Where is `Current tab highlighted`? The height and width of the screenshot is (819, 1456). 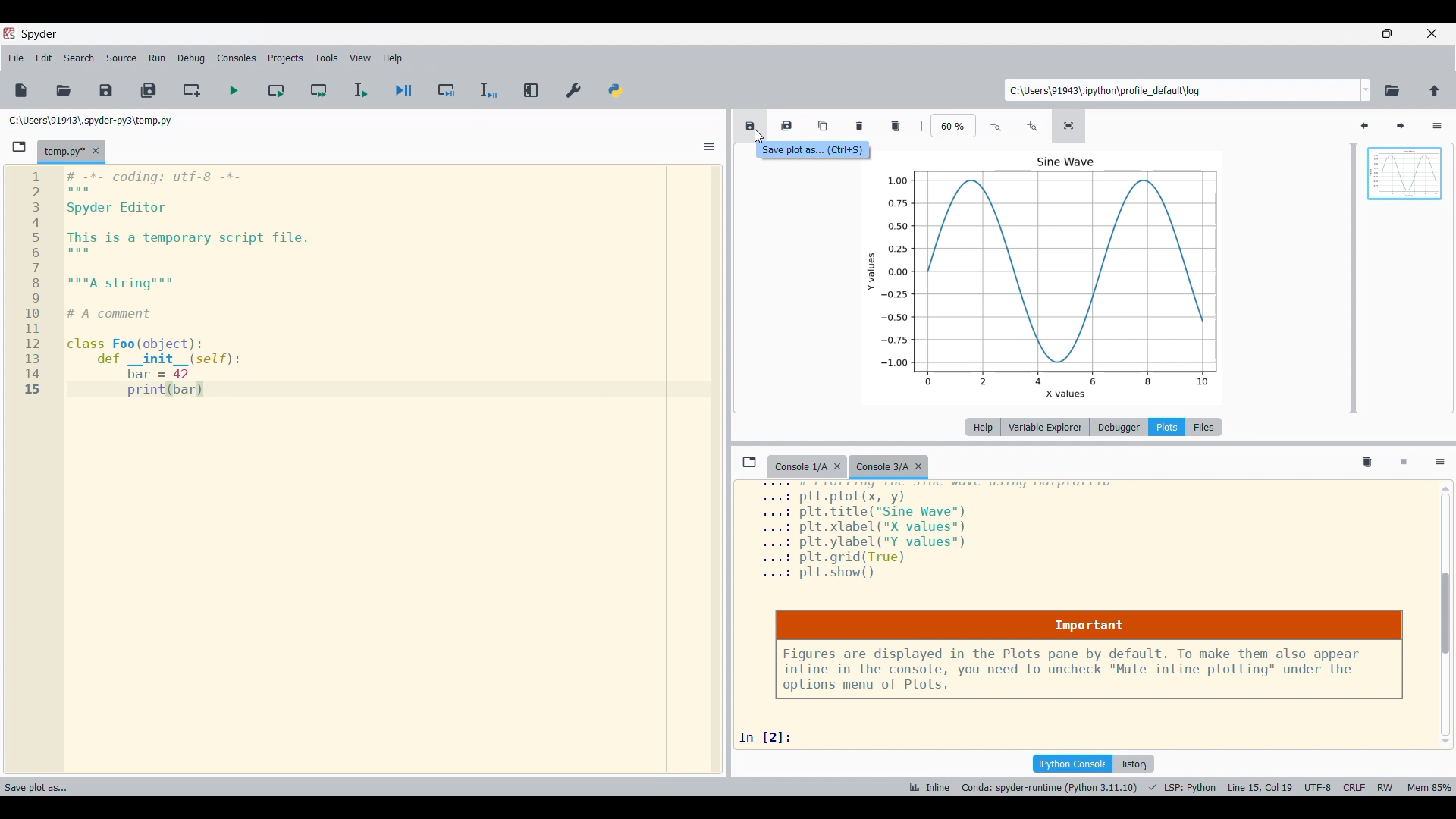 Current tab highlighted is located at coordinates (891, 467).